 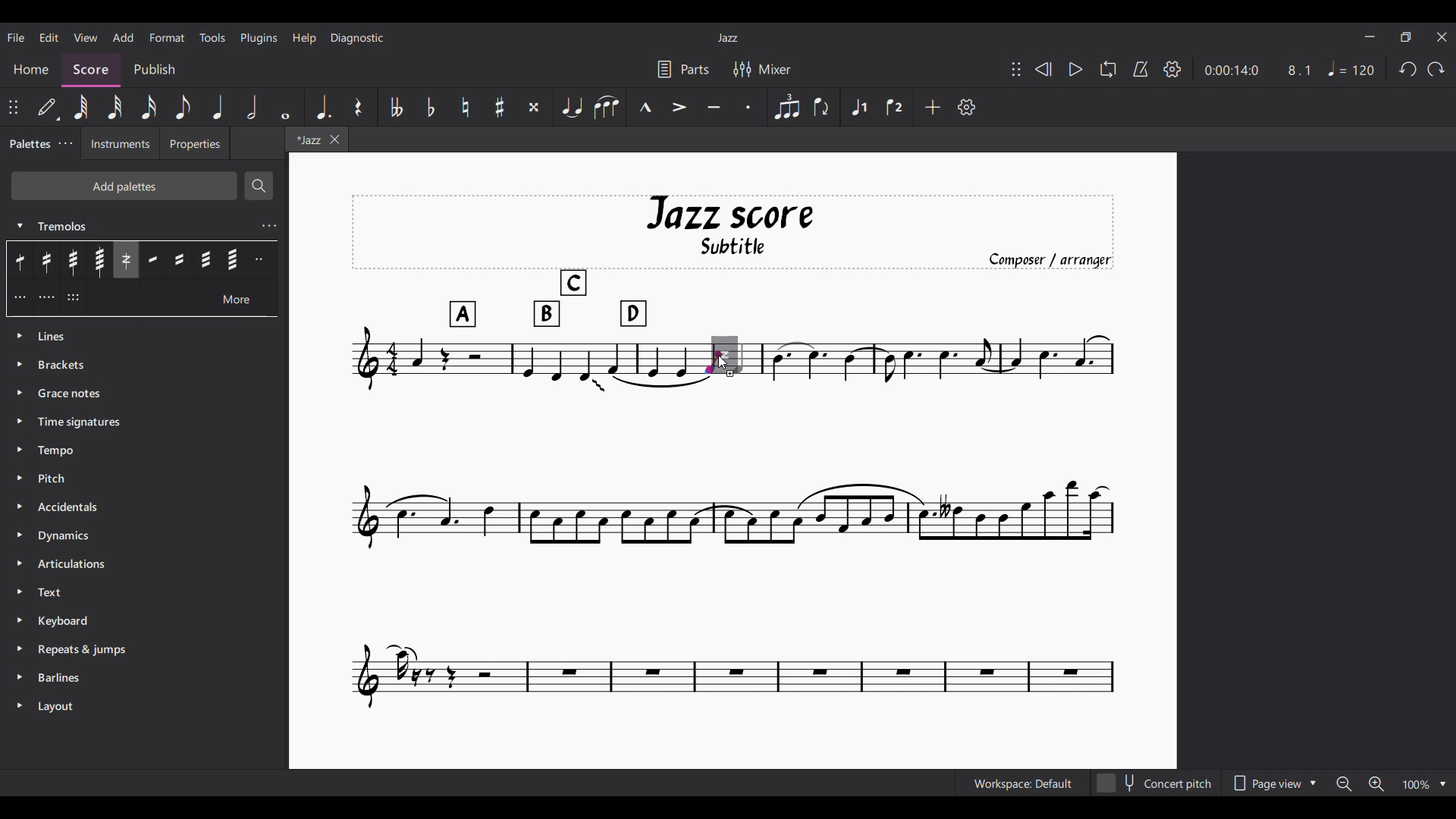 I want to click on Accidentals, so click(x=146, y=507).